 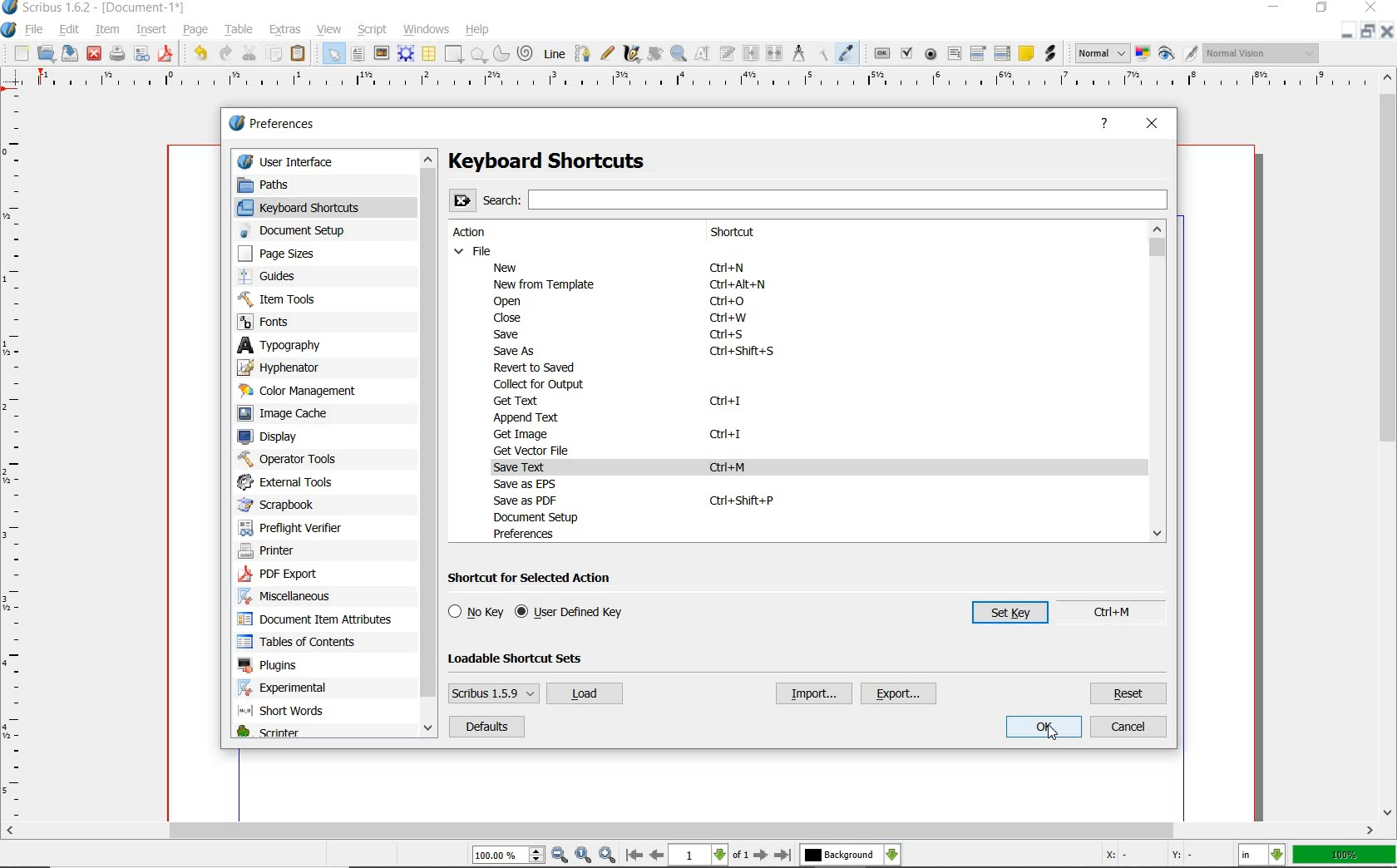 I want to click on action, so click(x=477, y=233).